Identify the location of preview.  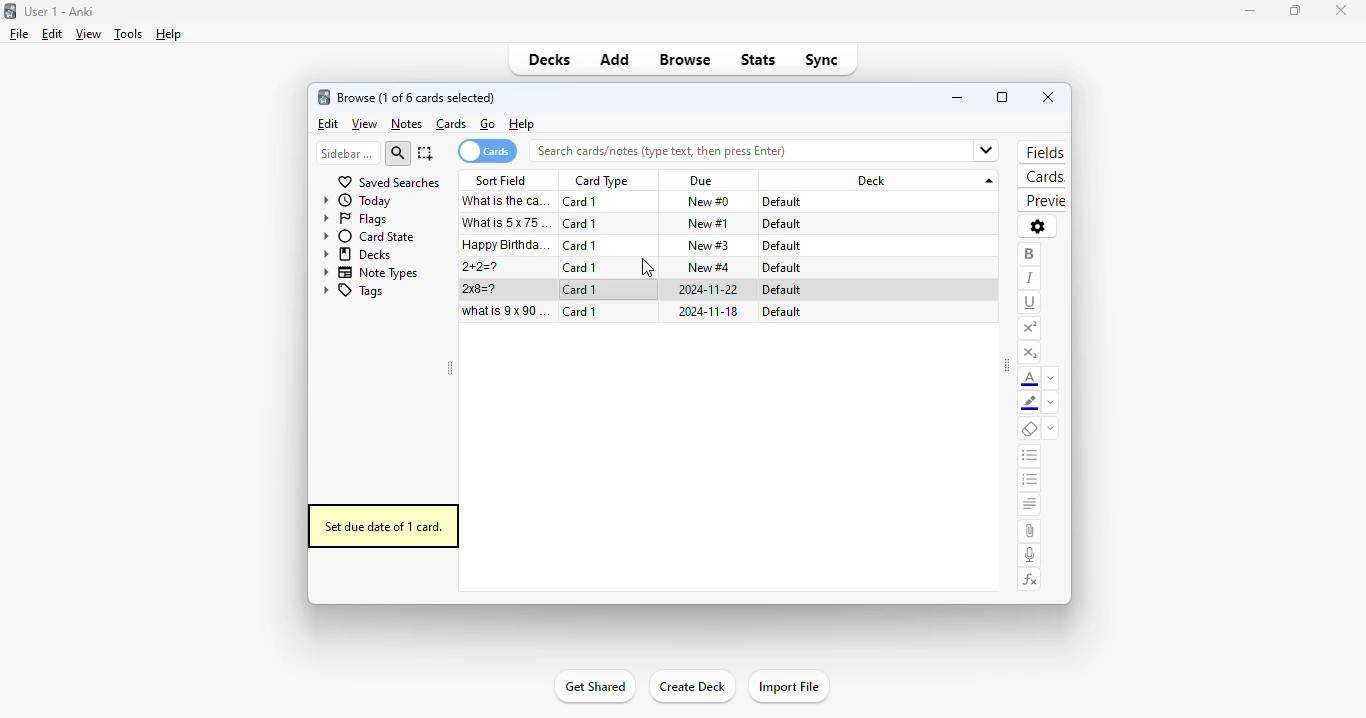
(1041, 201).